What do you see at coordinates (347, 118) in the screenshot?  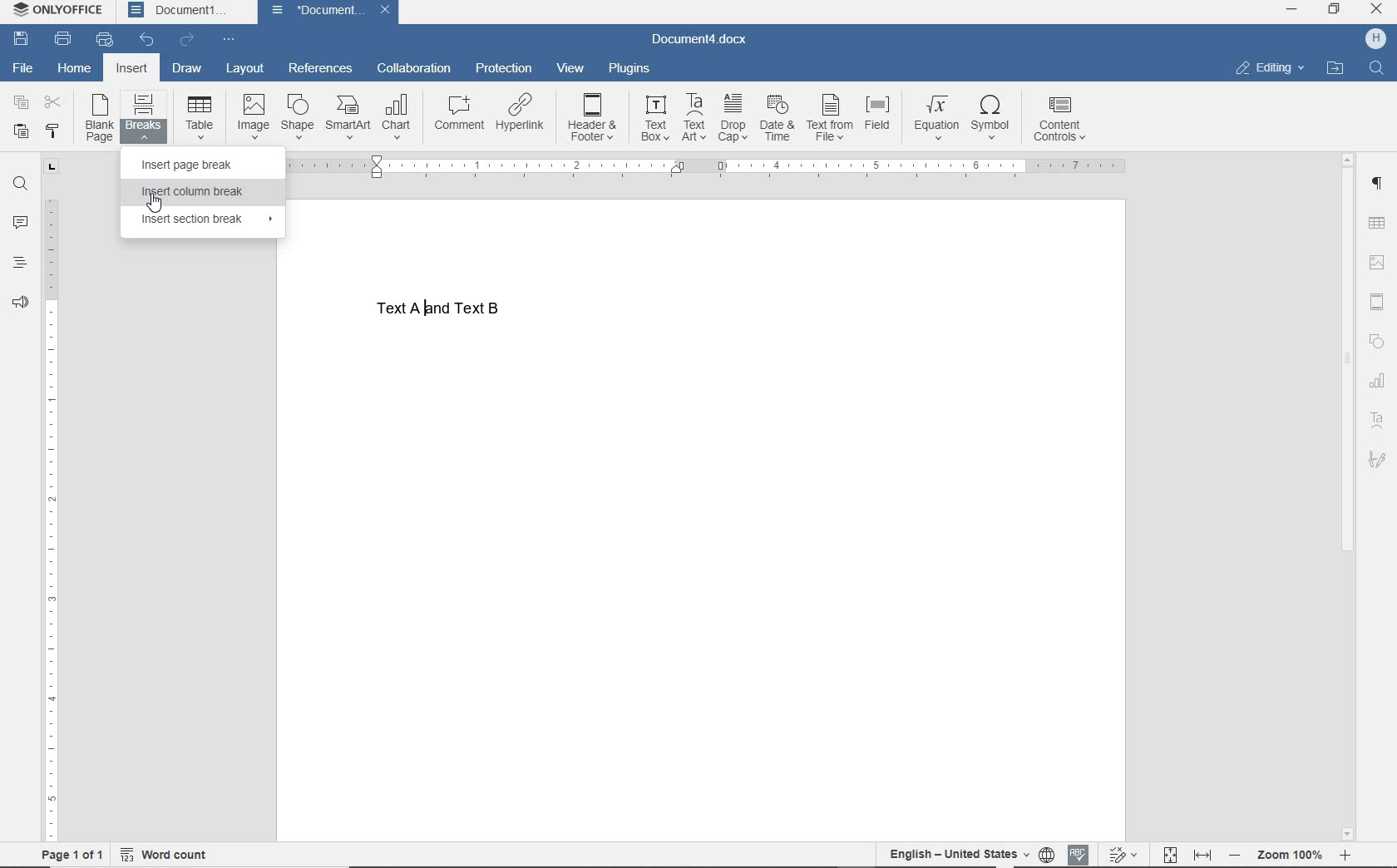 I see `SMART ART` at bounding box center [347, 118].